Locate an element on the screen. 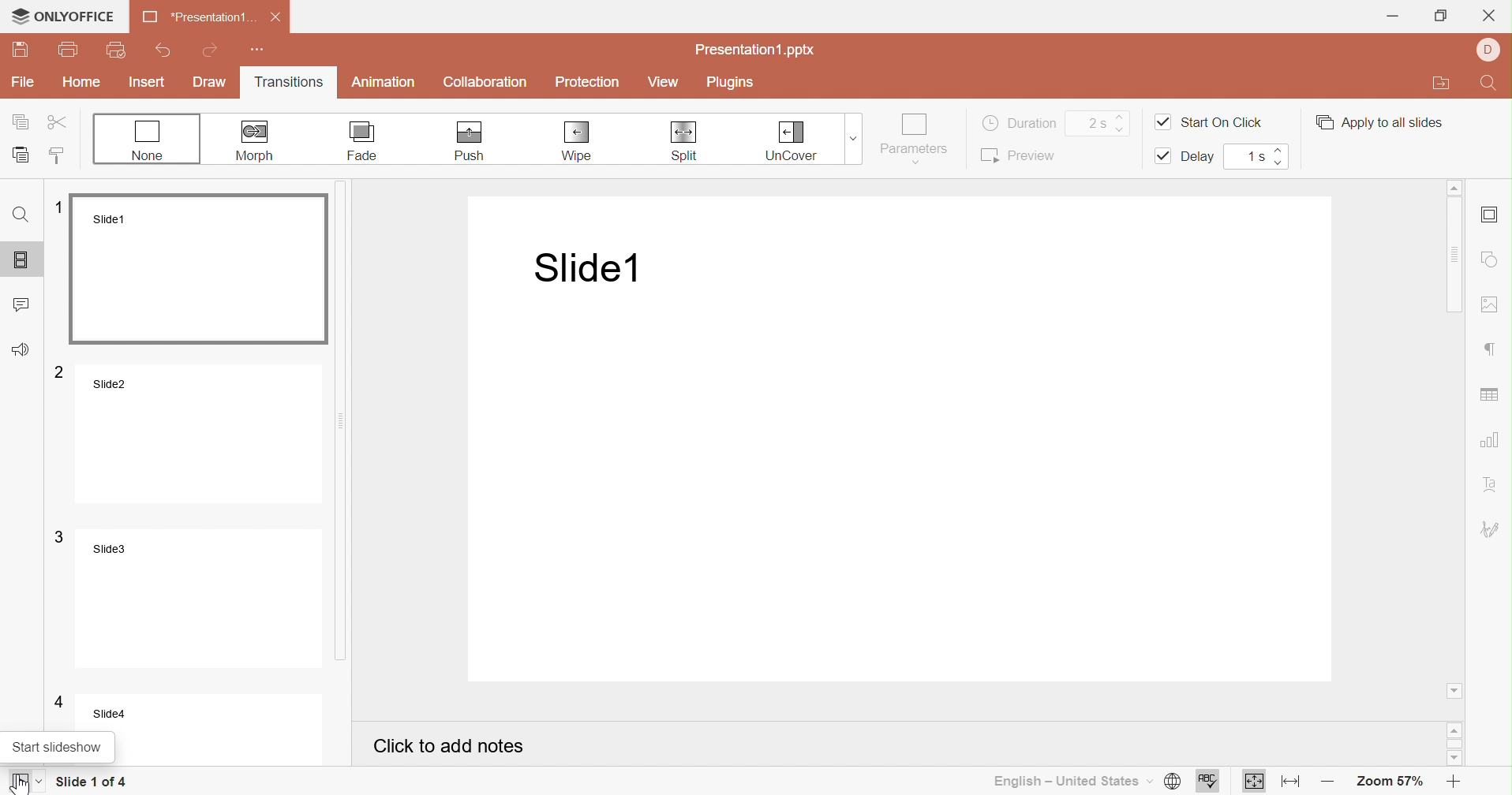 The width and height of the screenshot is (1512, 795). Parameters is located at coordinates (914, 139).